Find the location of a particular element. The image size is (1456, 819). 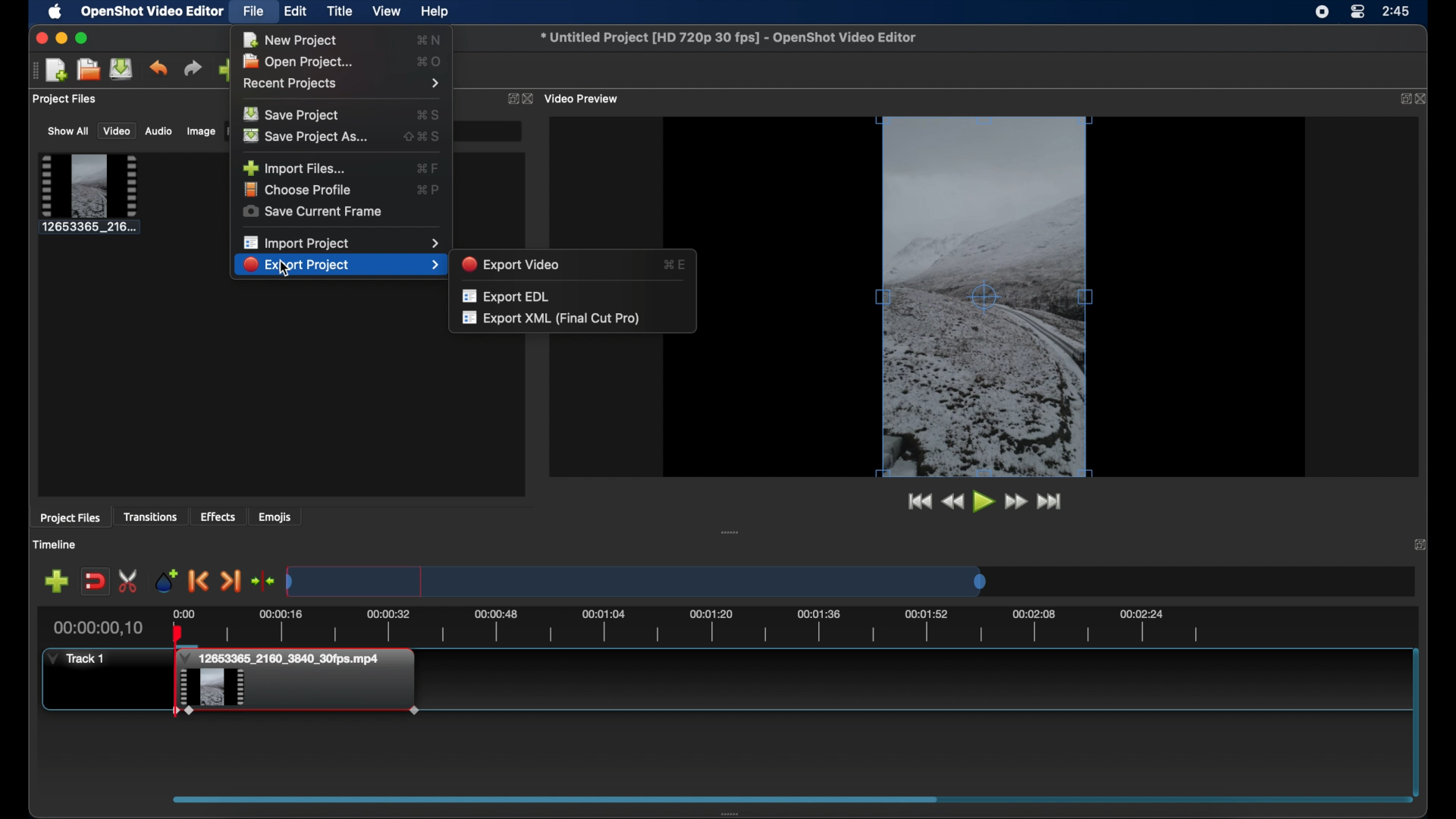

import files is located at coordinates (294, 167).